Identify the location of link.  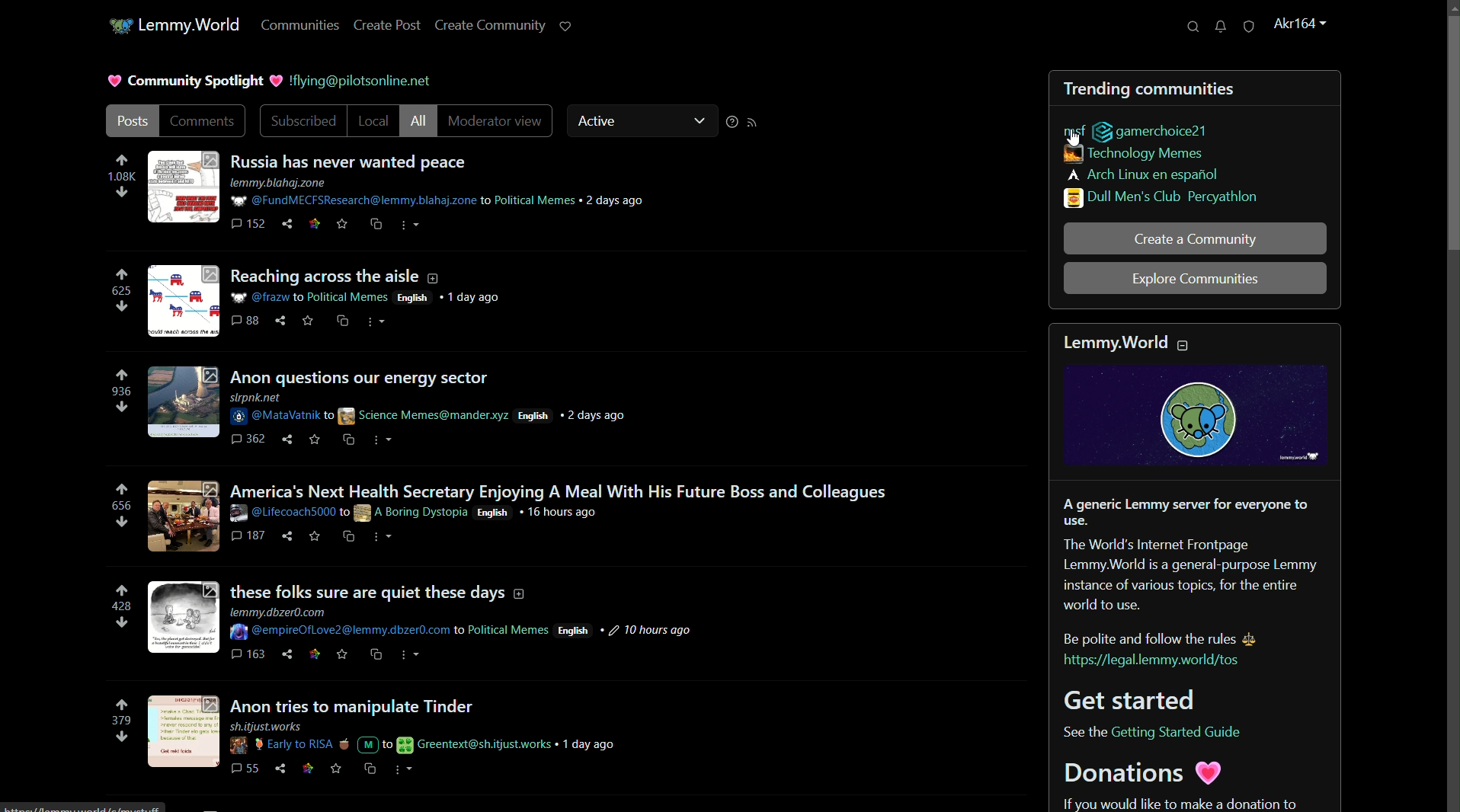
(316, 652).